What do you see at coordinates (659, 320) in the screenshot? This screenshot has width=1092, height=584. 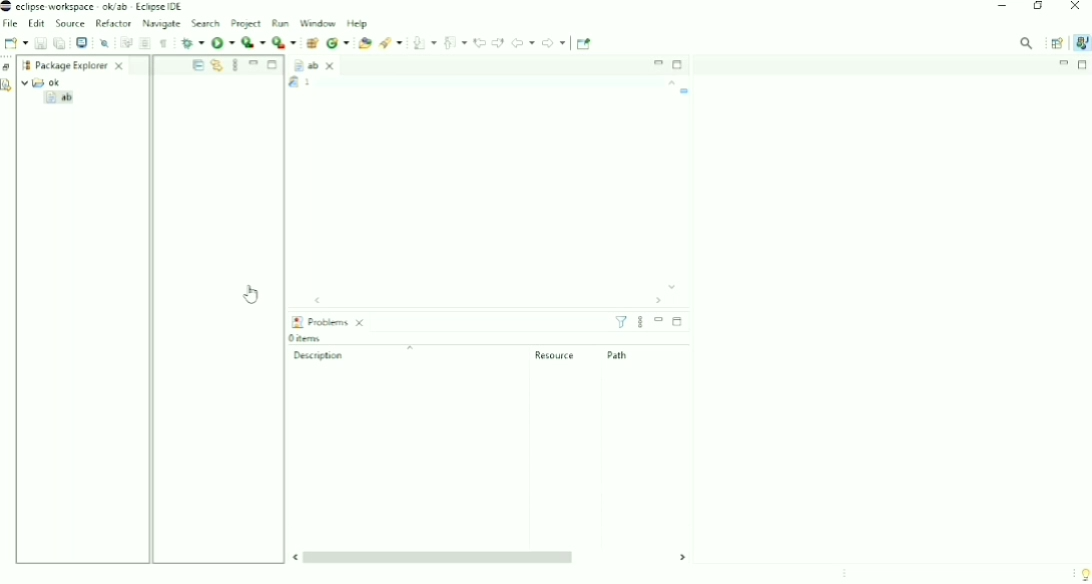 I see `Minimize` at bounding box center [659, 320].